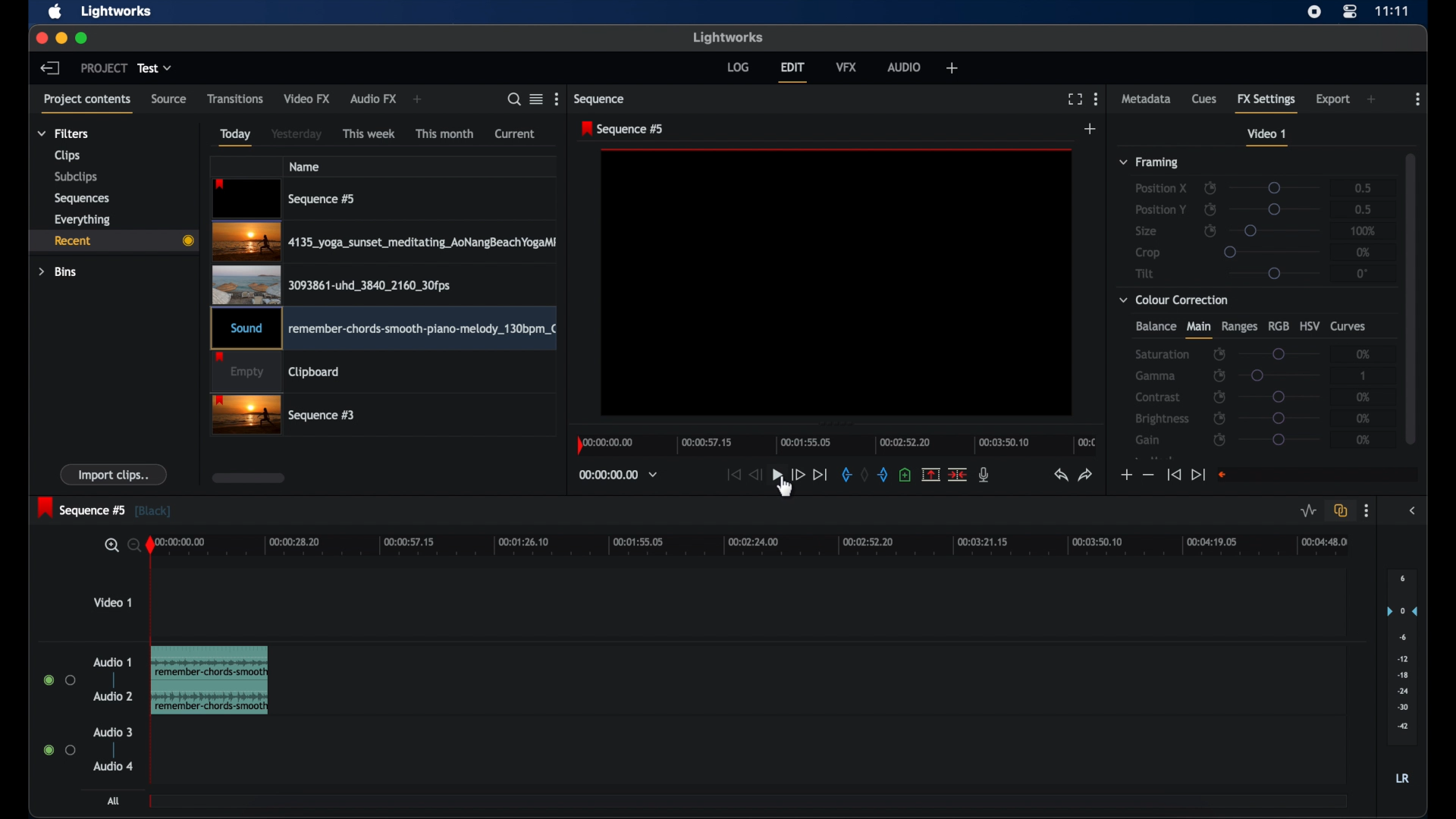  What do you see at coordinates (1221, 441) in the screenshot?
I see `enable/disable keyframes` at bounding box center [1221, 441].